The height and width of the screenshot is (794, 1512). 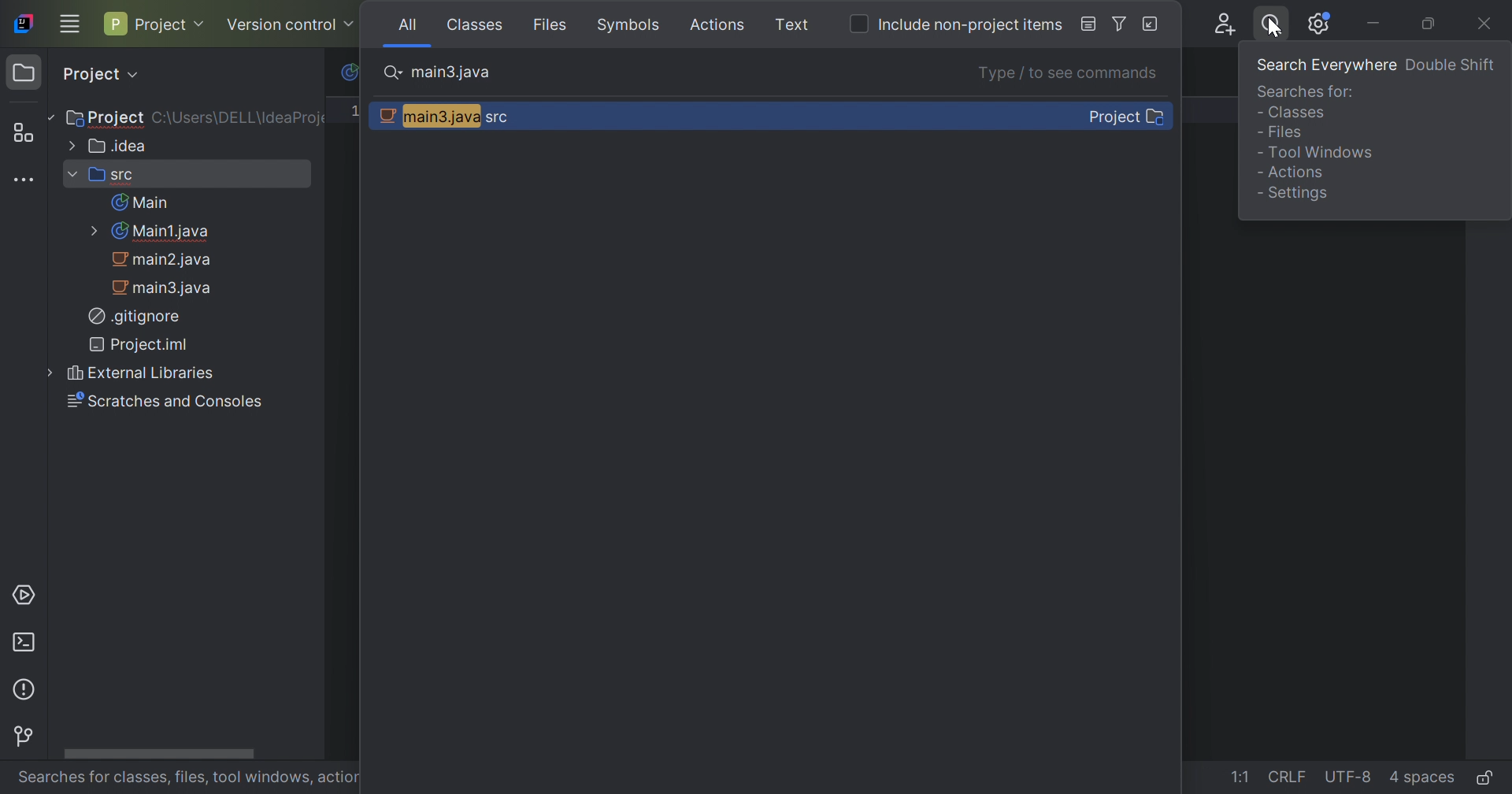 What do you see at coordinates (406, 23) in the screenshot?
I see `All` at bounding box center [406, 23].